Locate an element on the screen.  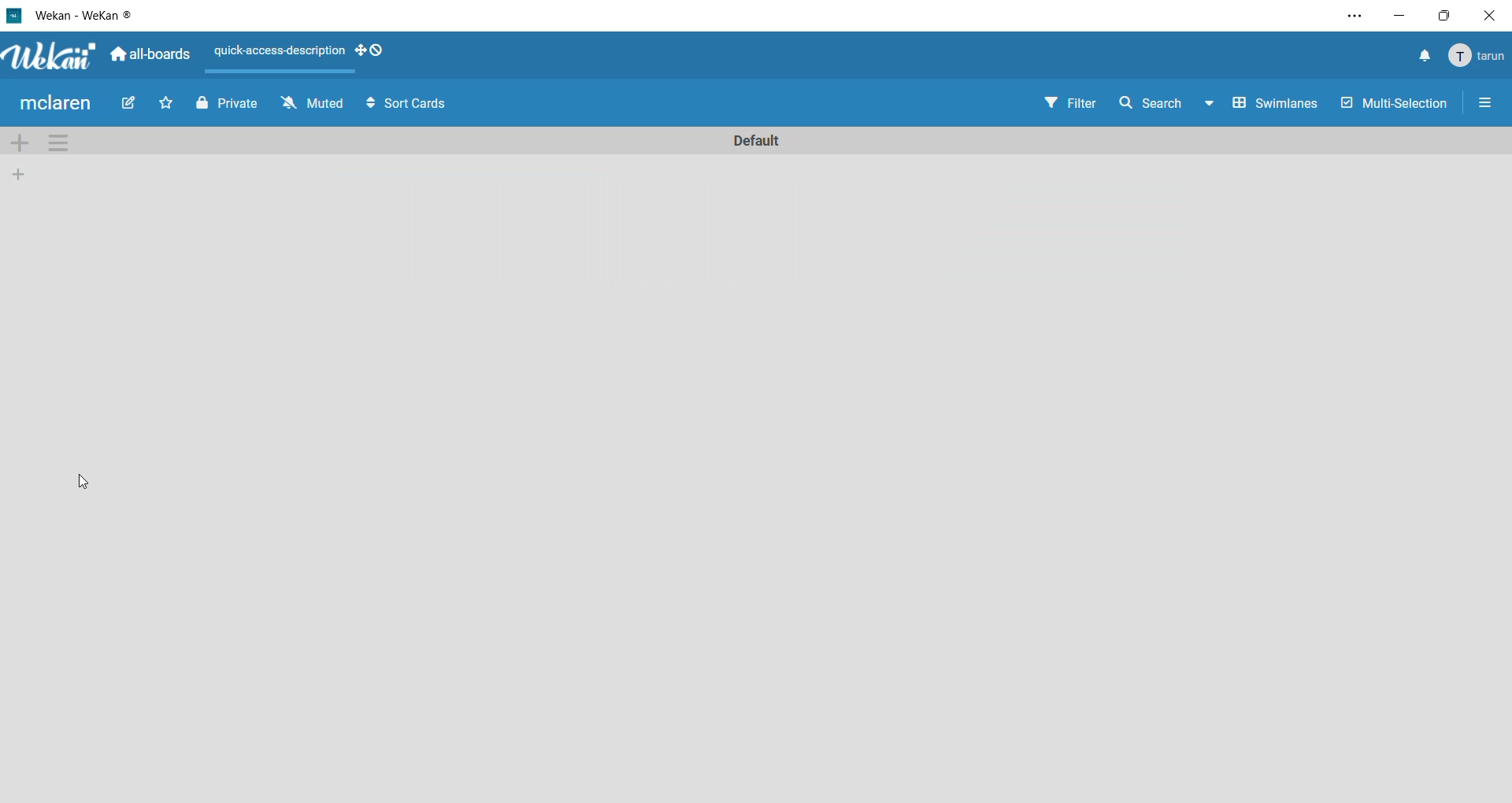
notifications is located at coordinates (1418, 56).